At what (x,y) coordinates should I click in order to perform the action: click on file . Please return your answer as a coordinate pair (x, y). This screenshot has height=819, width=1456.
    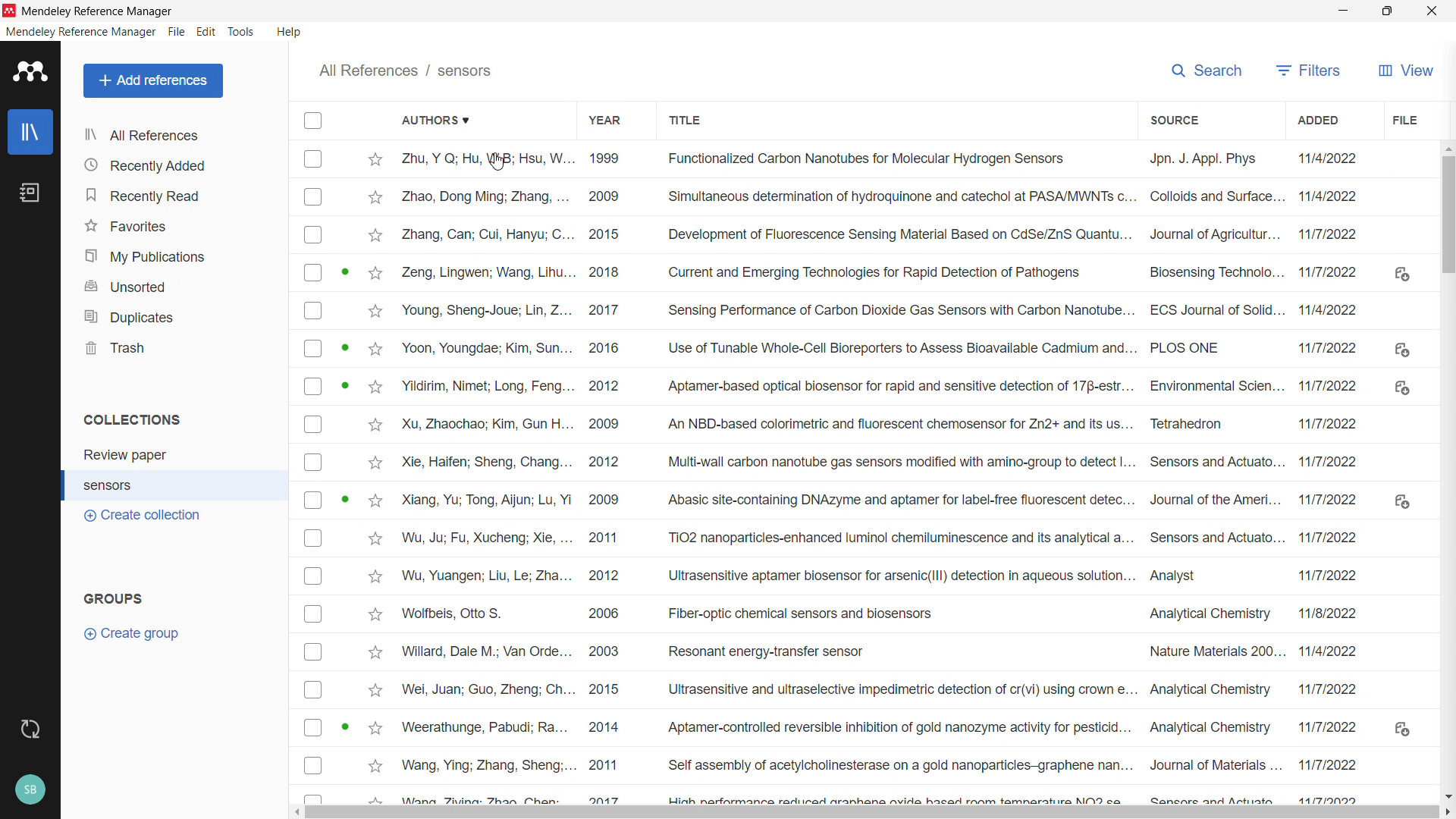
    Looking at the image, I should click on (1403, 120).